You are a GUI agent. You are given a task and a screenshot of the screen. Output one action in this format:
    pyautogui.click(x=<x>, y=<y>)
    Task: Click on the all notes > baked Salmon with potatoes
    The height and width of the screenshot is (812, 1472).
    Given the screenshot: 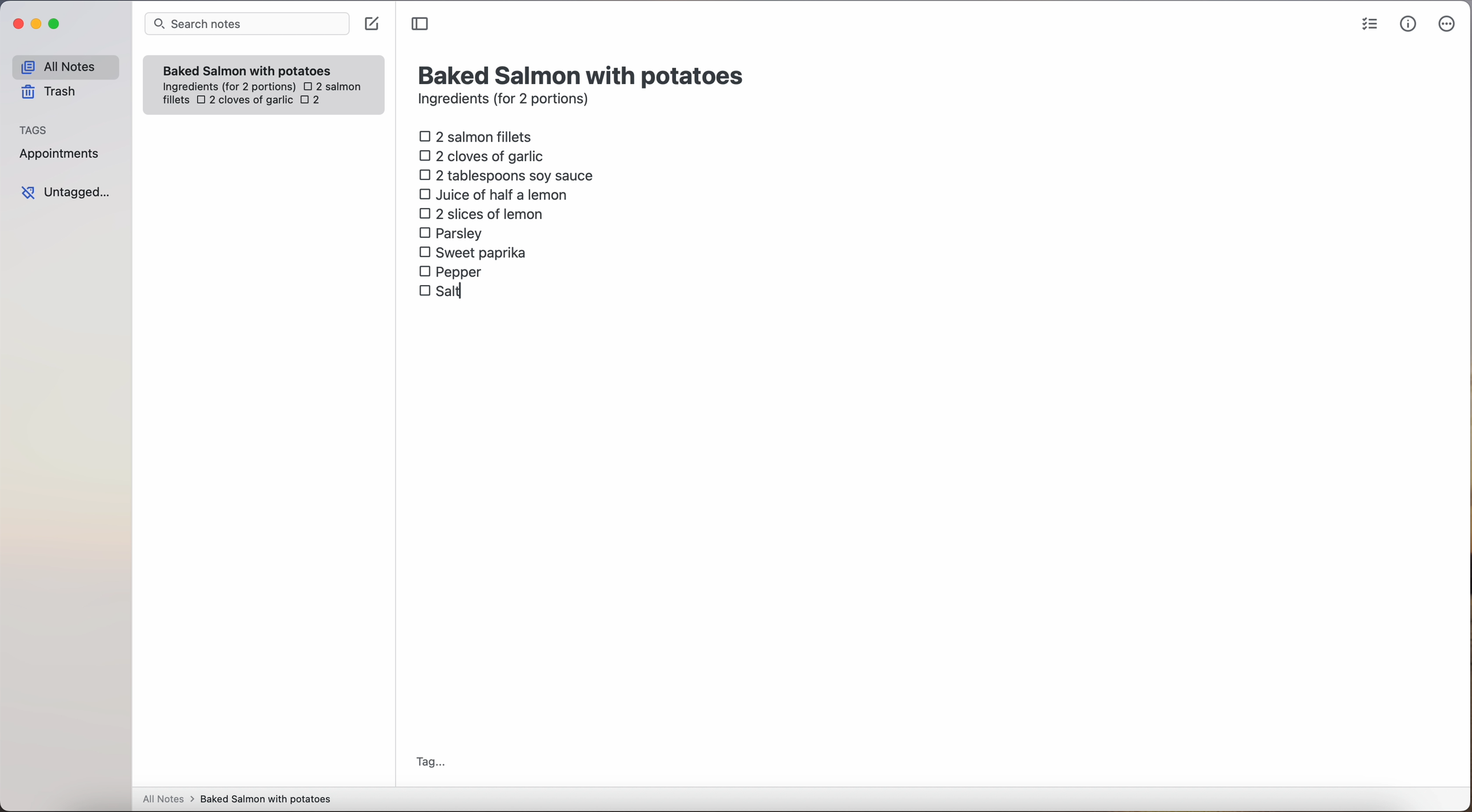 What is the action you would take?
    pyautogui.click(x=237, y=798)
    